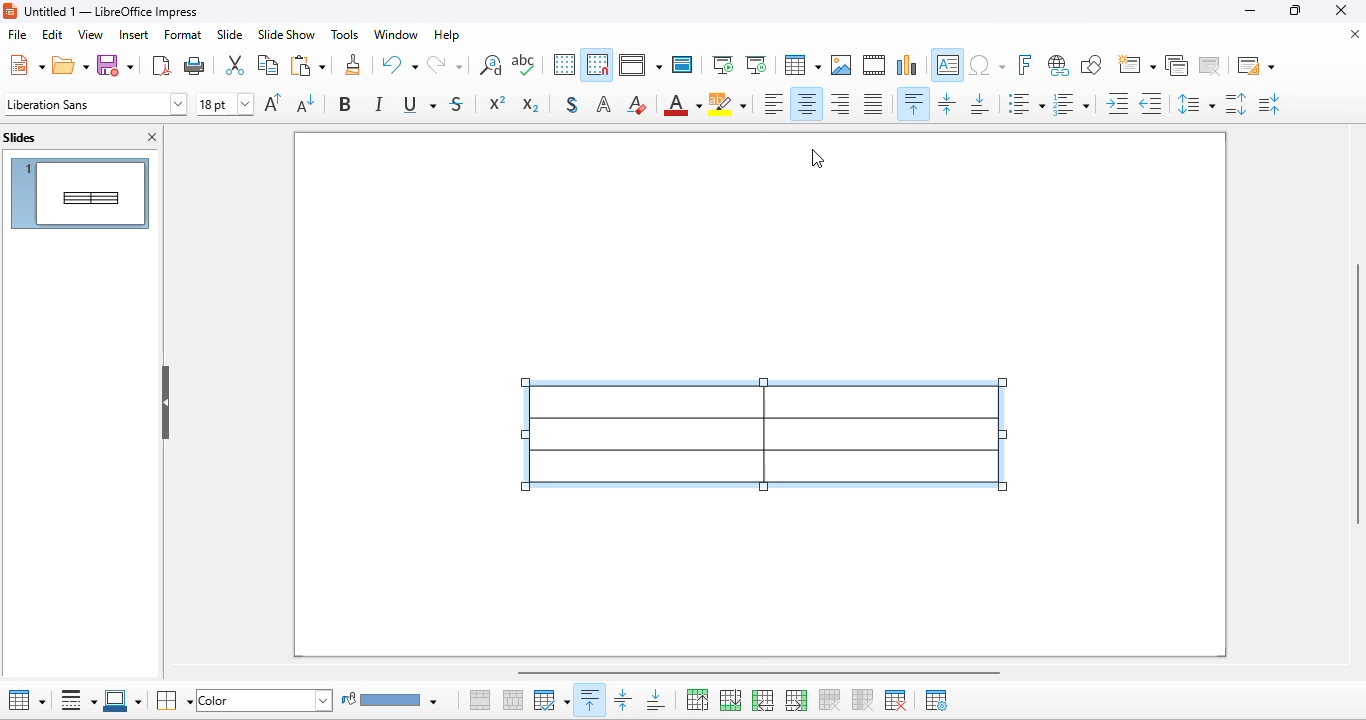 The width and height of the screenshot is (1366, 720). Describe the element at coordinates (1093, 64) in the screenshot. I see `show draw functions` at that location.